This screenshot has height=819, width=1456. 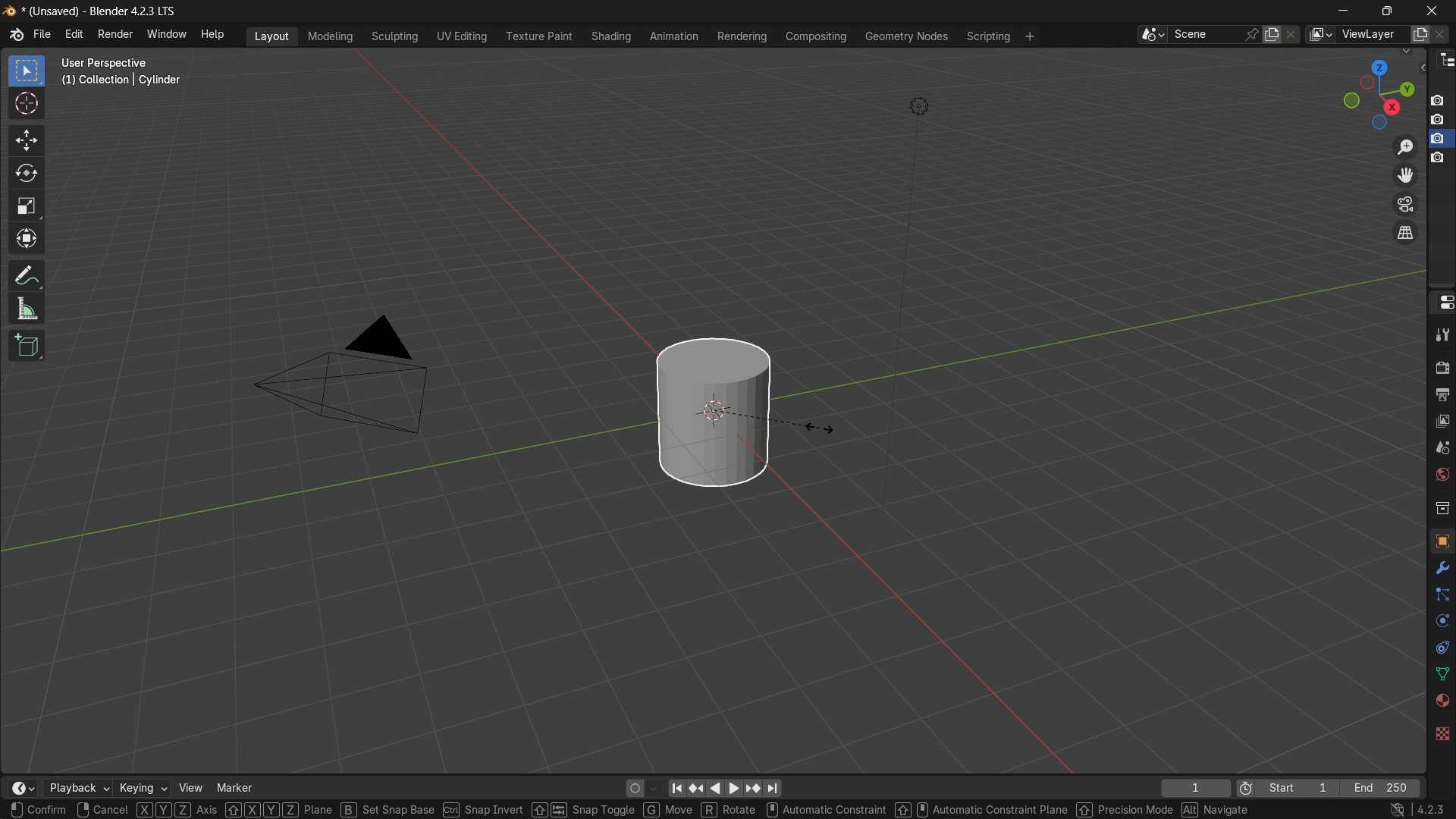 I want to click on add viewlayer, so click(x=1420, y=35).